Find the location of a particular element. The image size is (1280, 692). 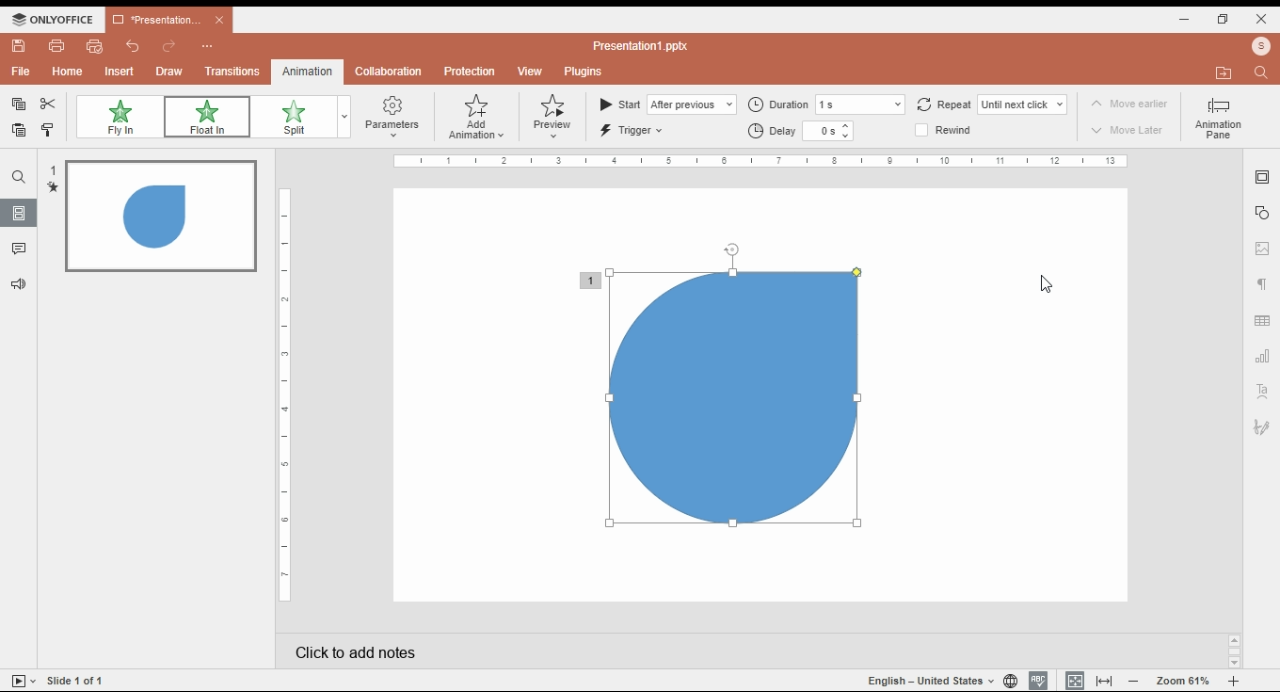

table settings is located at coordinates (1262, 318).